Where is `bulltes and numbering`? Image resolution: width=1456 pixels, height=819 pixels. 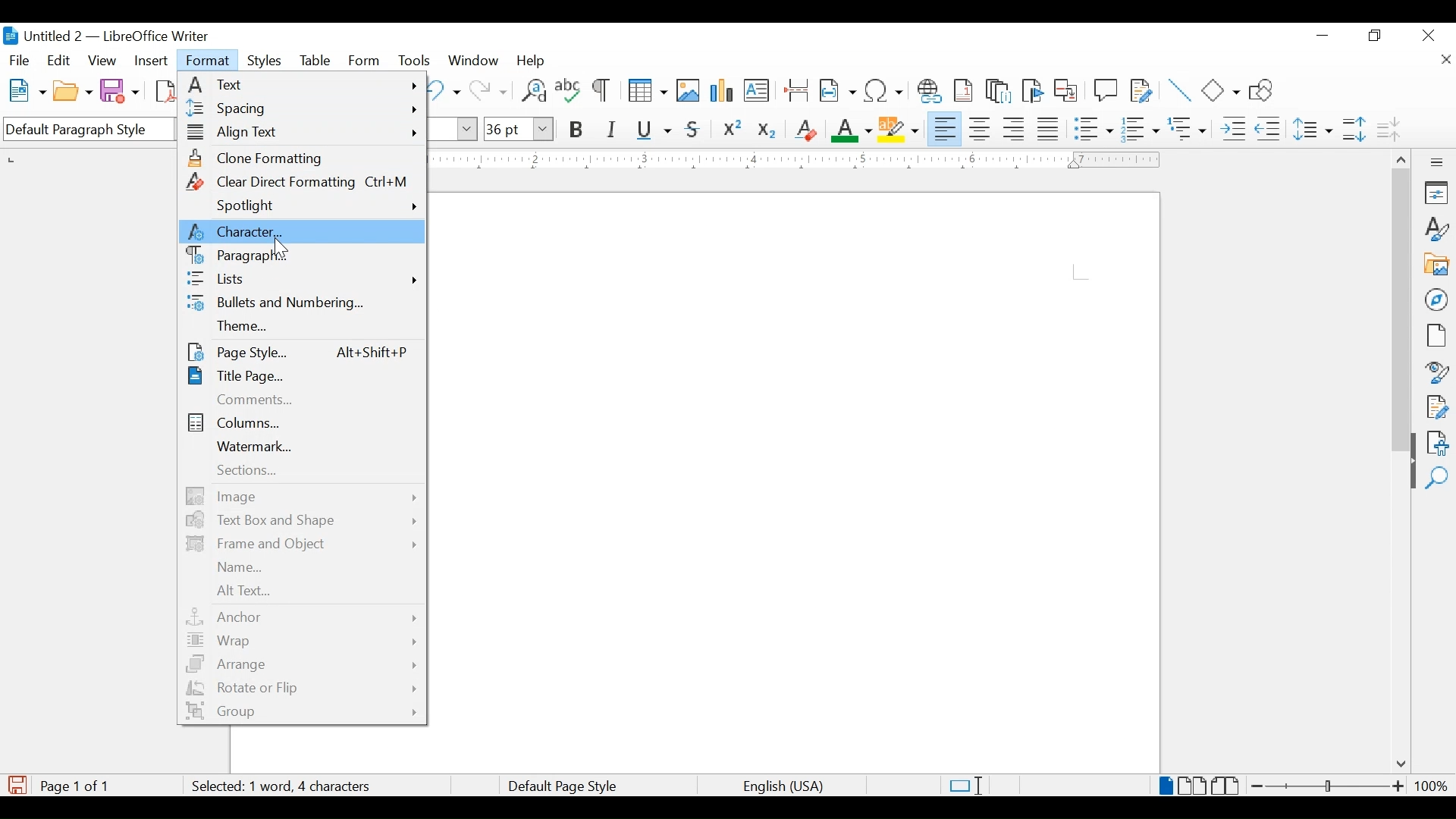 bulltes and numbering is located at coordinates (275, 303).